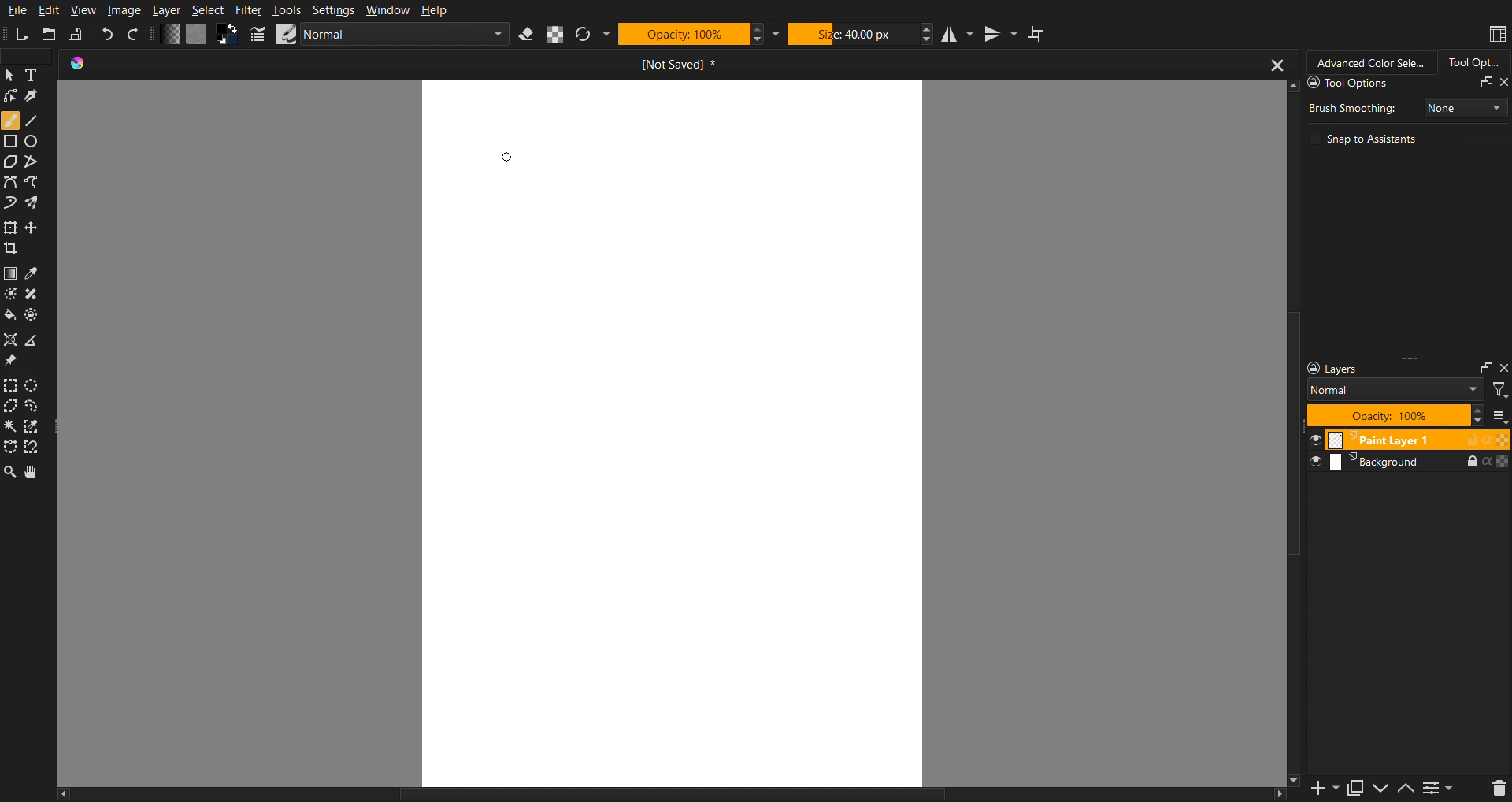  I want to click on Layer Settings, so click(1388, 369).